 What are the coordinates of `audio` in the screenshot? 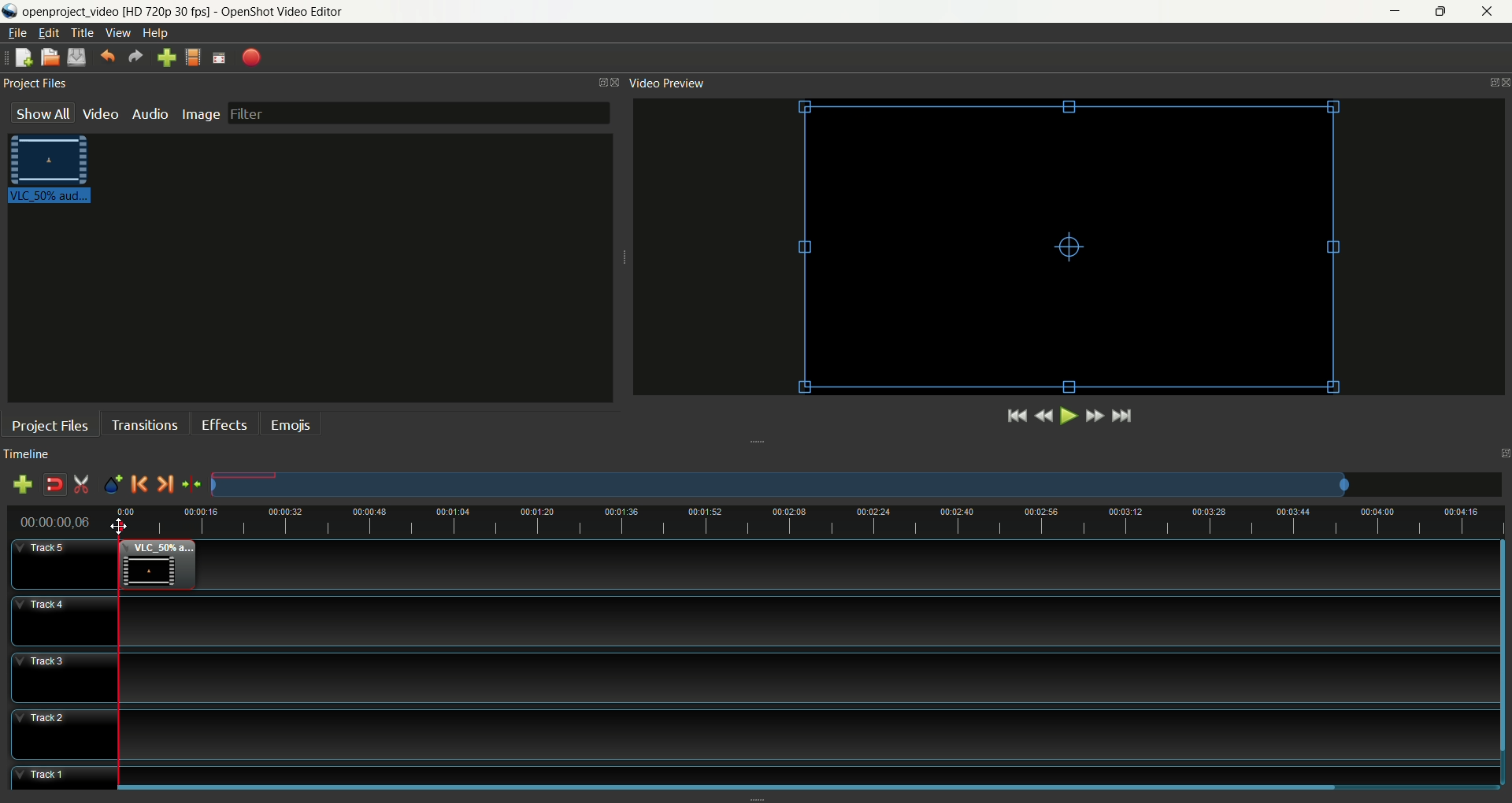 It's located at (150, 113).